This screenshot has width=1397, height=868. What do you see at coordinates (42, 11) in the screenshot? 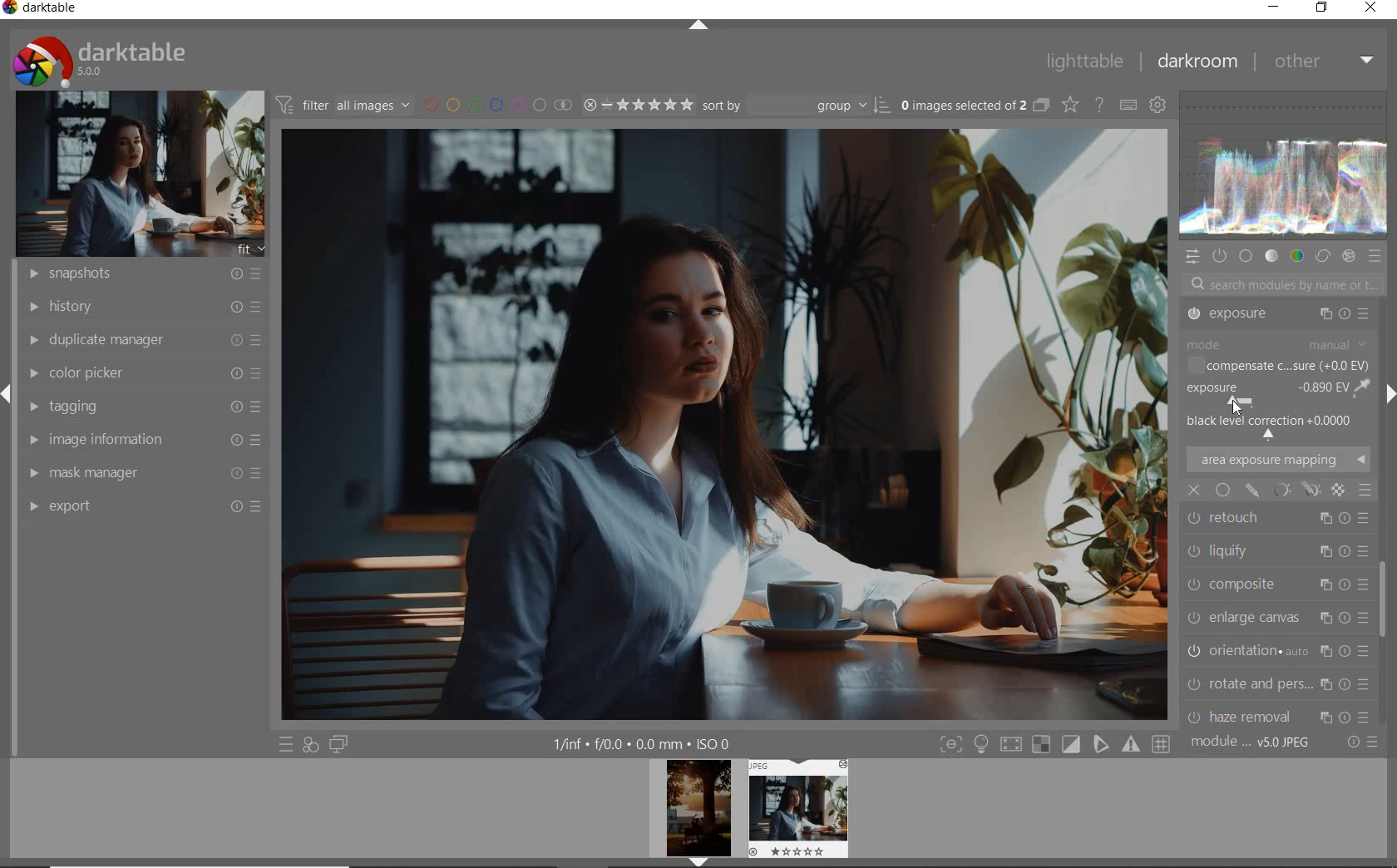
I see `SYSTEM NAME` at bounding box center [42, 11].